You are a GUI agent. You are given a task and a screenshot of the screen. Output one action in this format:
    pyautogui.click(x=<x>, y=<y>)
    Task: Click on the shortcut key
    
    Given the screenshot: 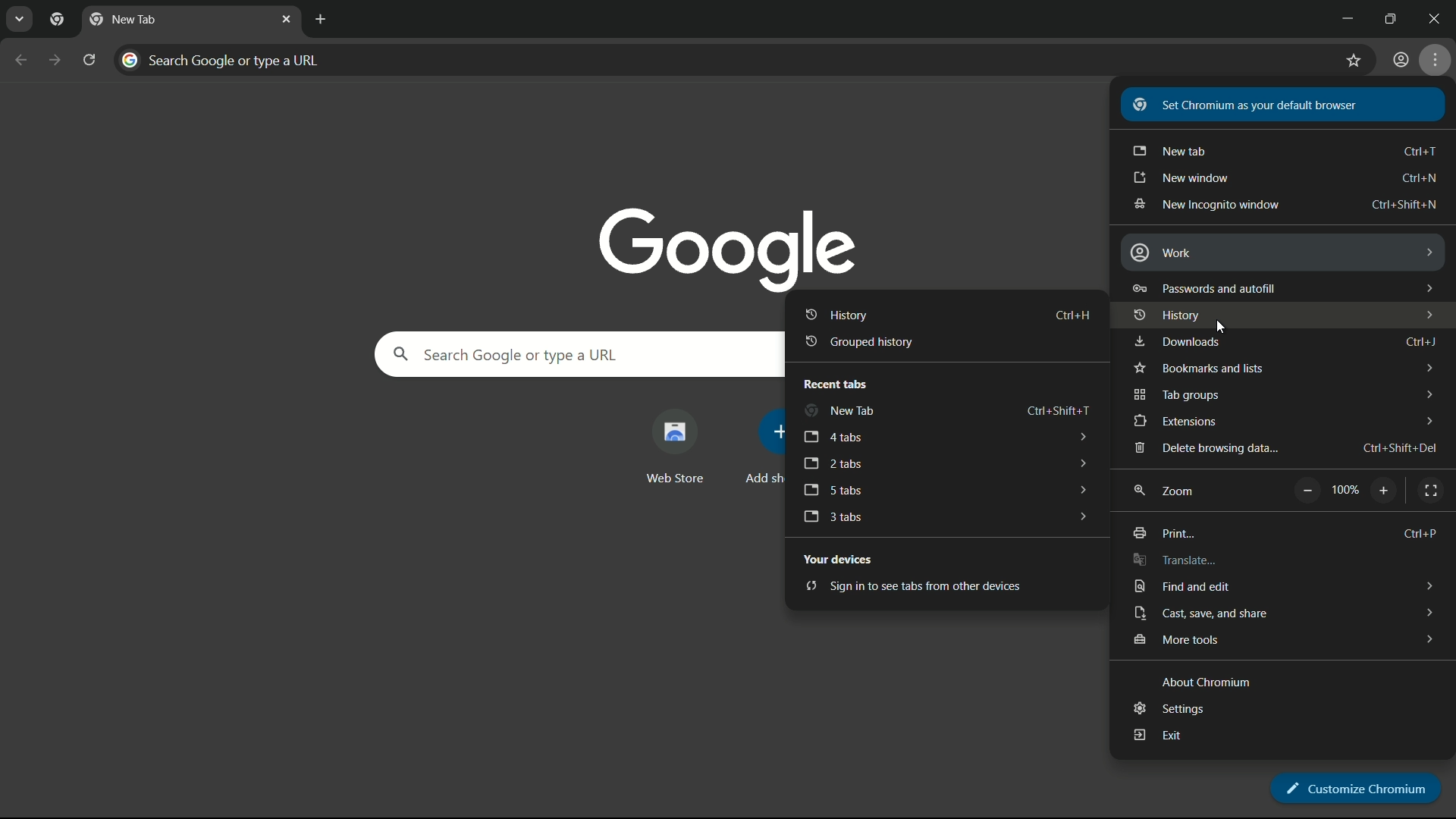 What is the action you would take?
    pyautogui.click(x=1404, y=204)
    